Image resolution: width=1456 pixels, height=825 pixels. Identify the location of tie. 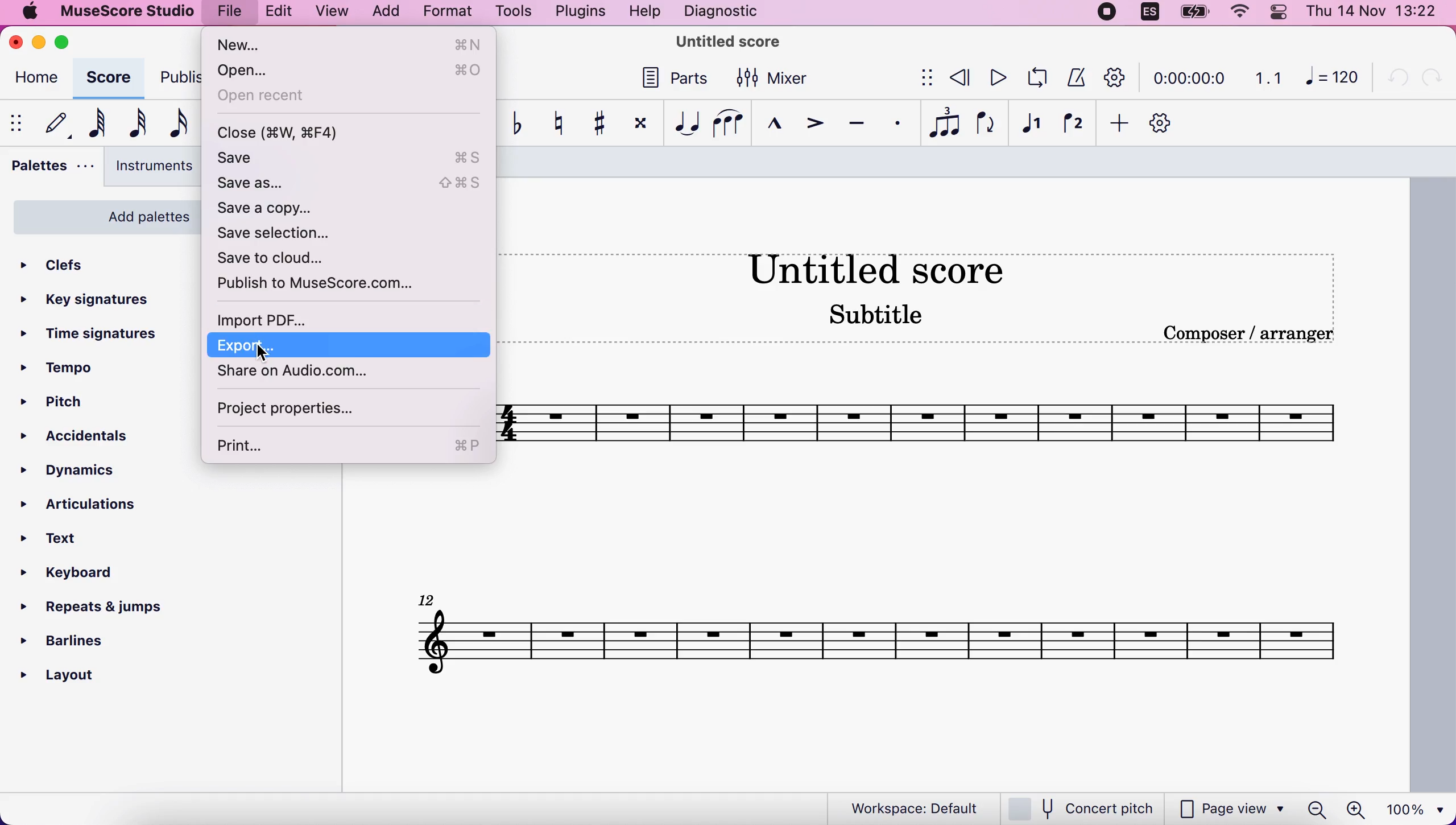
(685, 125).